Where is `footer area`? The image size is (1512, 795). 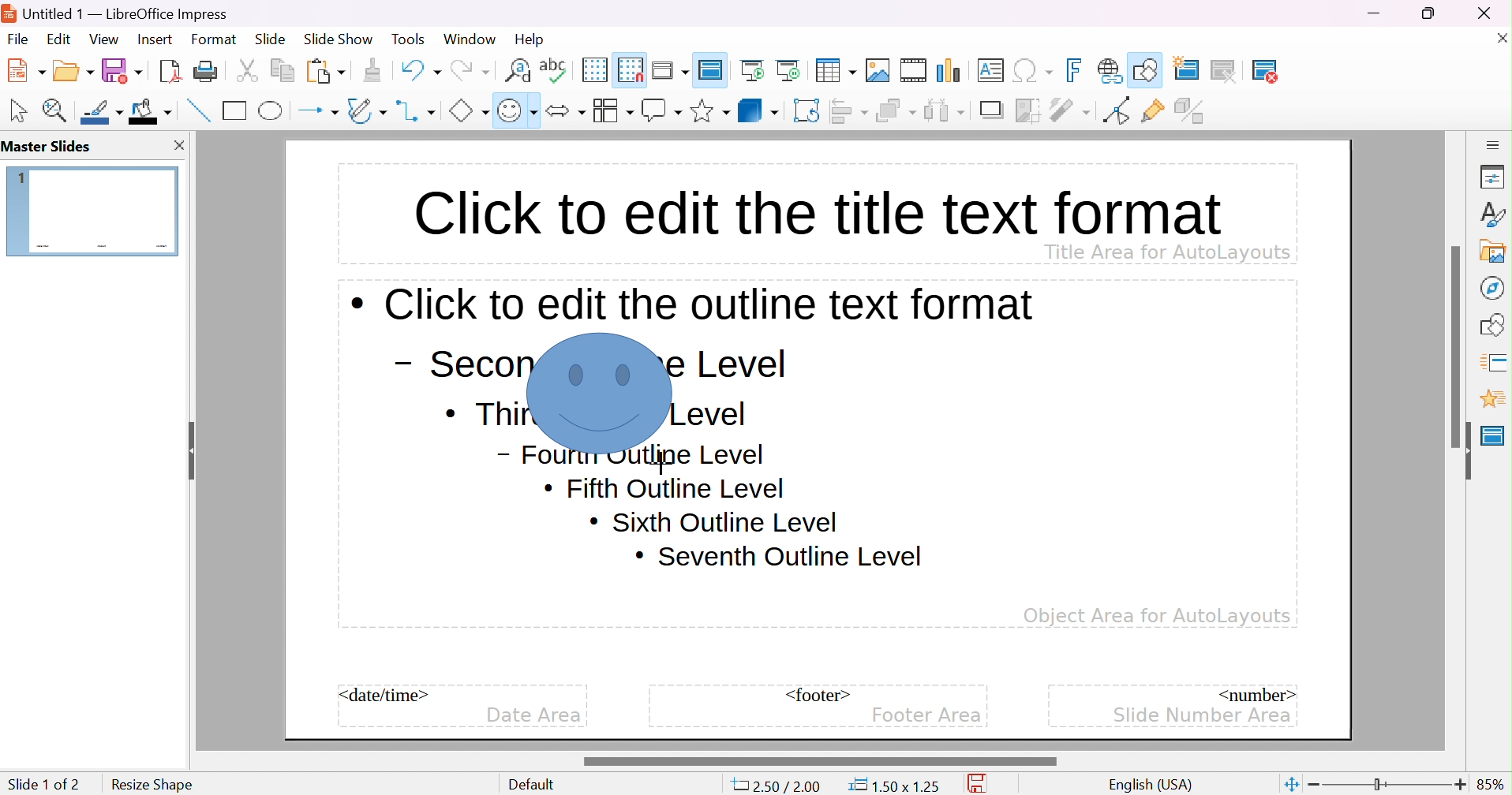
footer area is located at coordinates (926, 715).